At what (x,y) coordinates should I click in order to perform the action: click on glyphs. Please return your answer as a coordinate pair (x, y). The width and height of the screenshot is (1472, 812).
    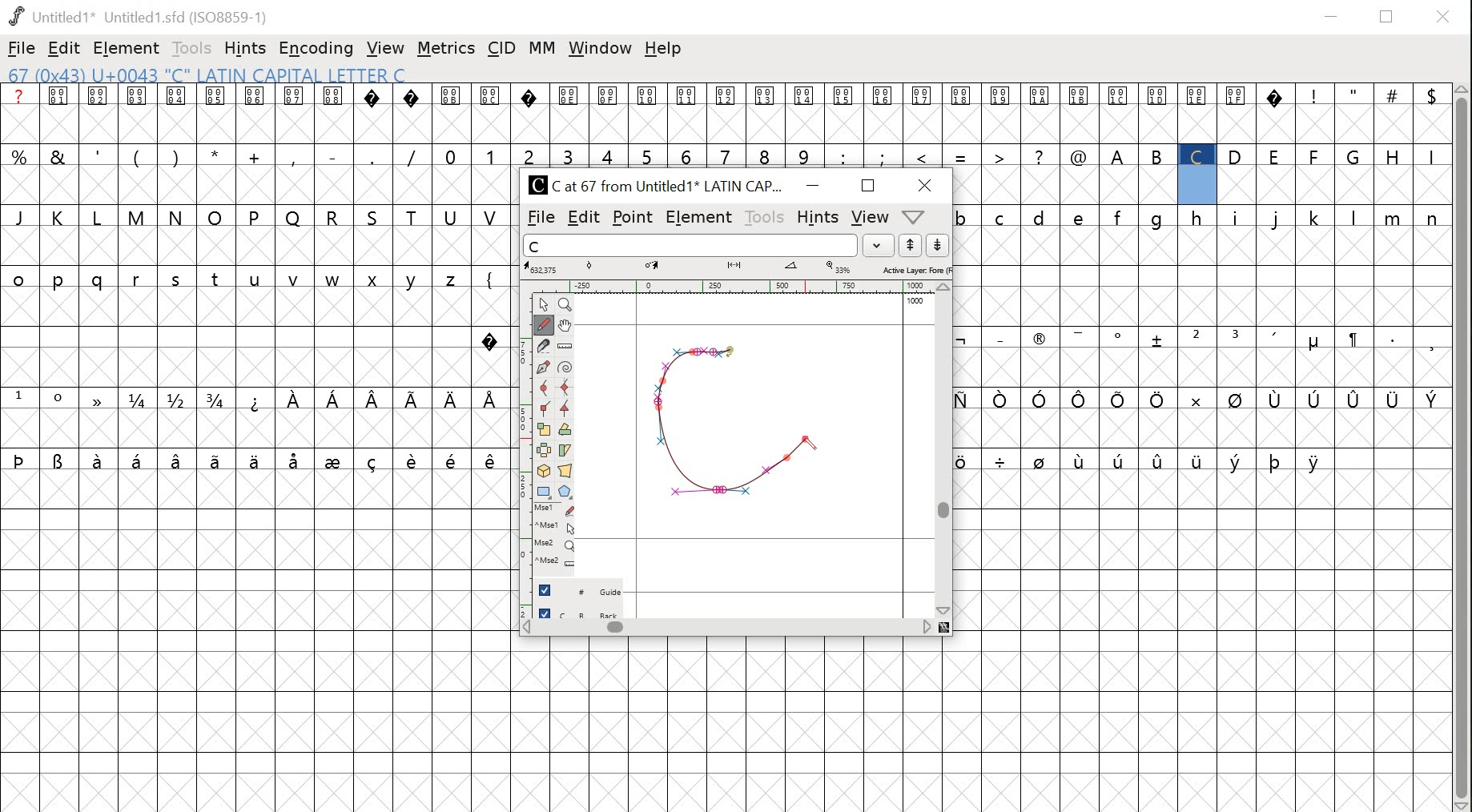
    Looking at the image, I should click on (736, 125).